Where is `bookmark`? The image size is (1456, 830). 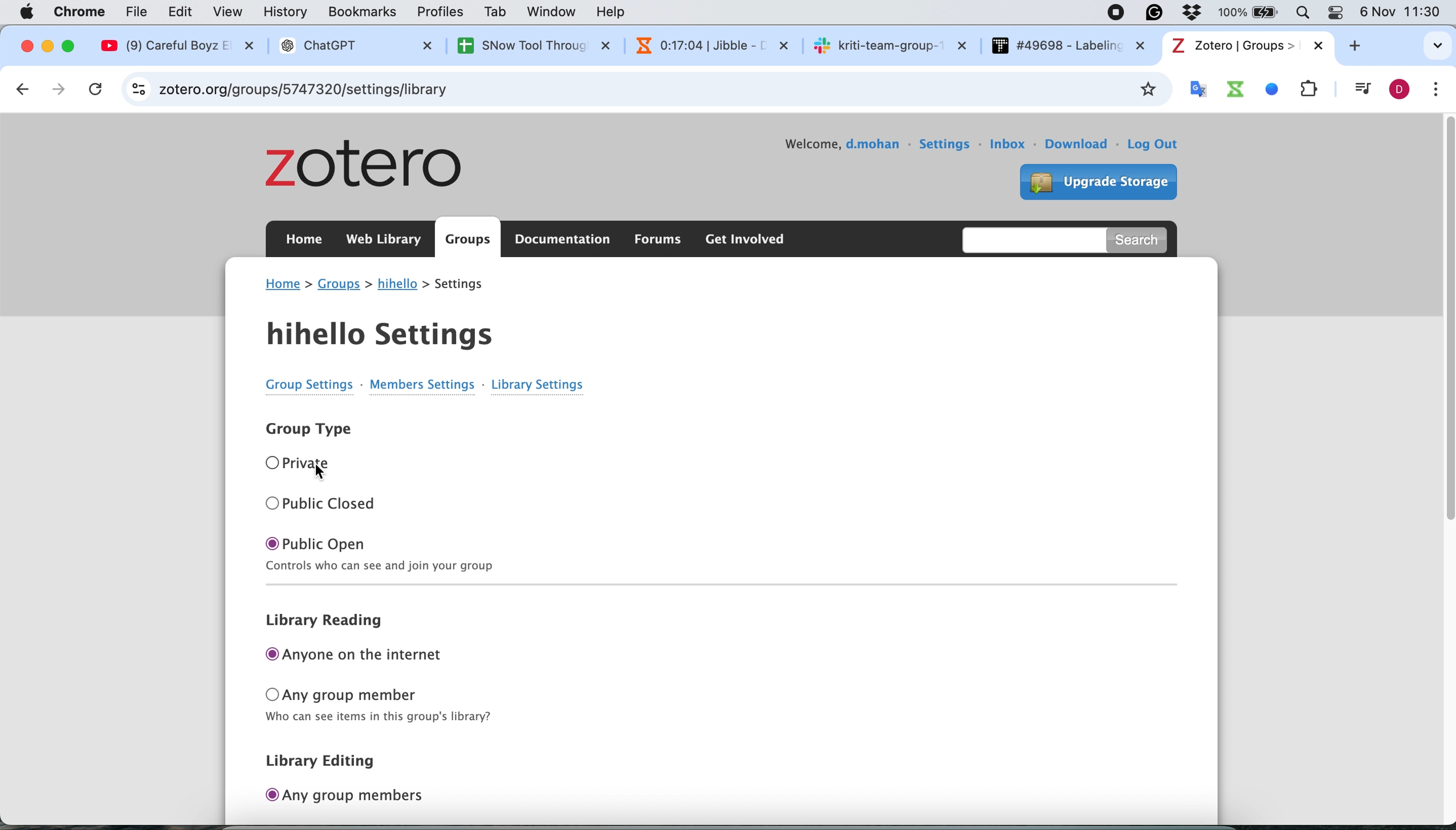 bookmark is located at coordinates (1146, 89).